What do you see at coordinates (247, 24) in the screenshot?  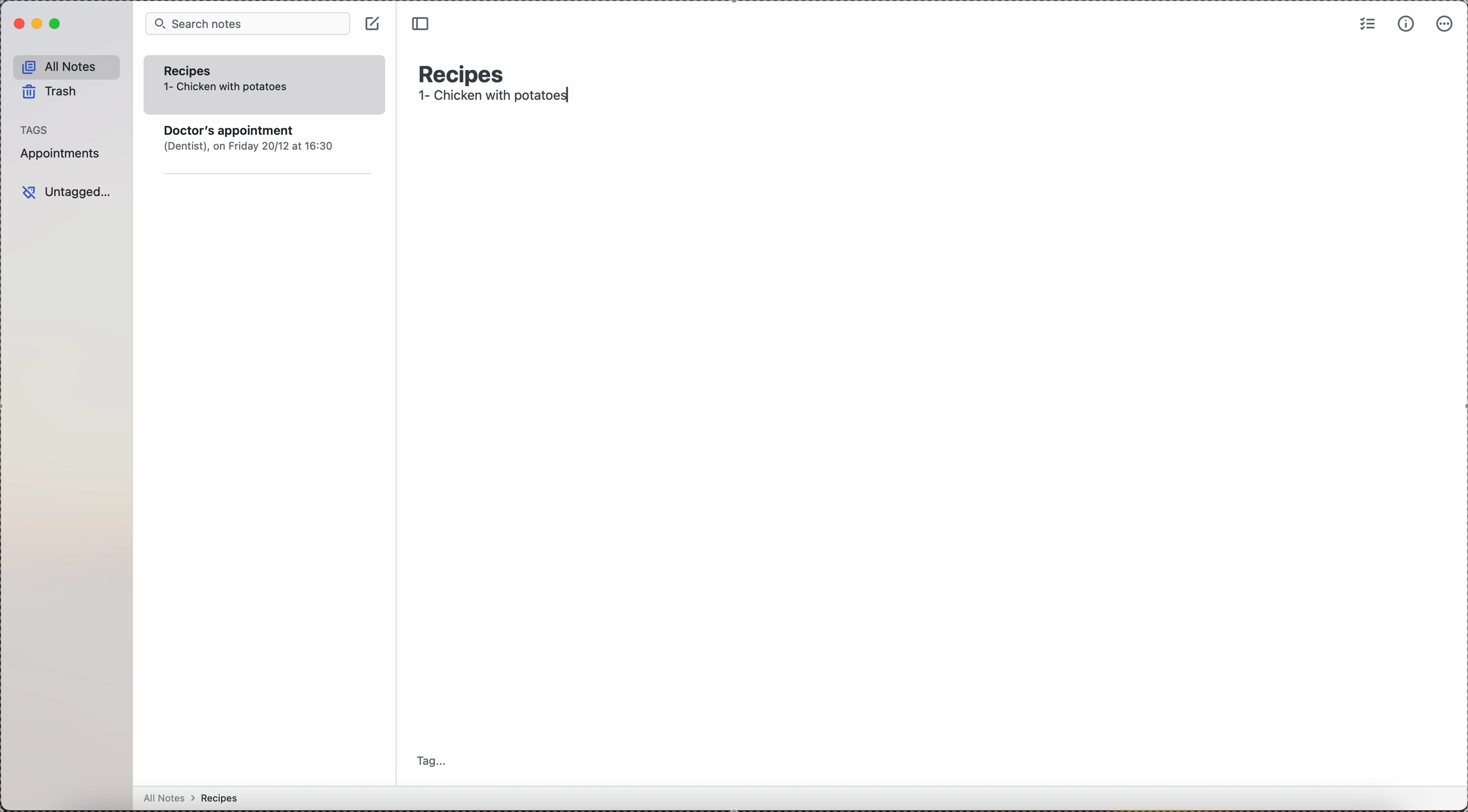 I see `search bar` at bounding box center [247, 24].